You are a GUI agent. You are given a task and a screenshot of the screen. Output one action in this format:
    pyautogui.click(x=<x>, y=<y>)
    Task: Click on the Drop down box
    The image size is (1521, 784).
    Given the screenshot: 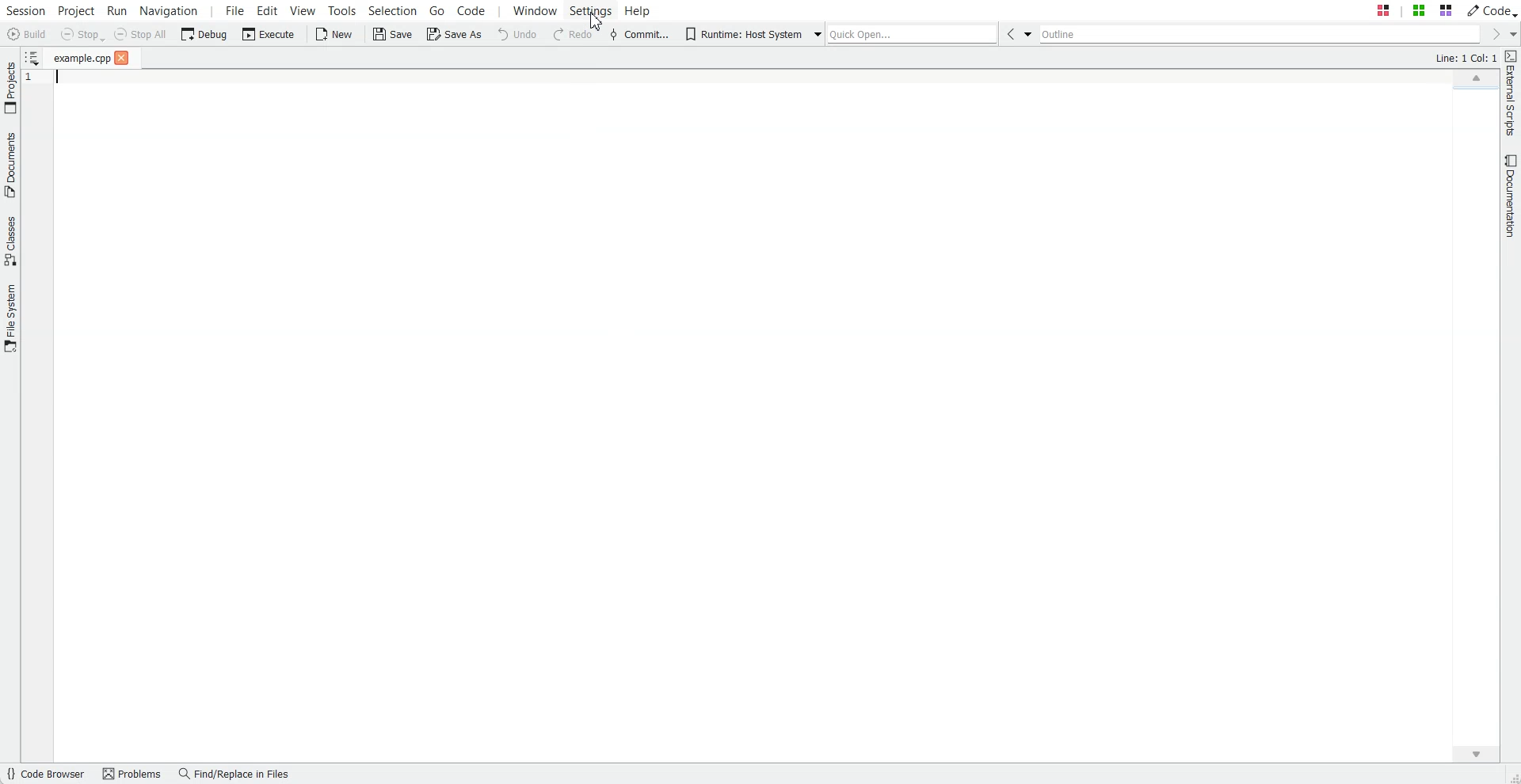 What is the action you would take?
    pyautogui.click(x=1027, y=33)
    